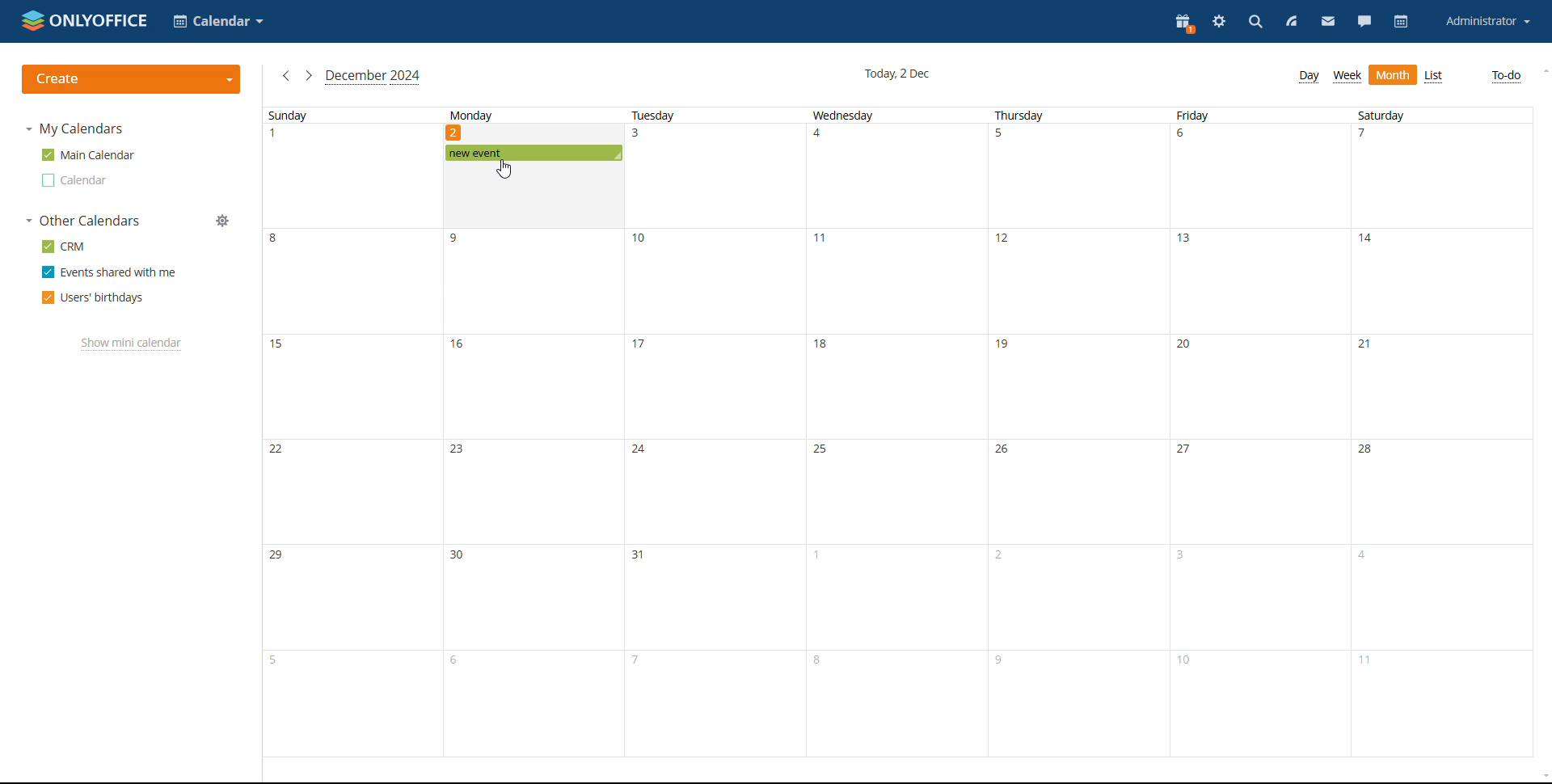  What do you see at coordinates (61, 246) in the screenshot?
I see `crm` at bounding box center [61, 246].